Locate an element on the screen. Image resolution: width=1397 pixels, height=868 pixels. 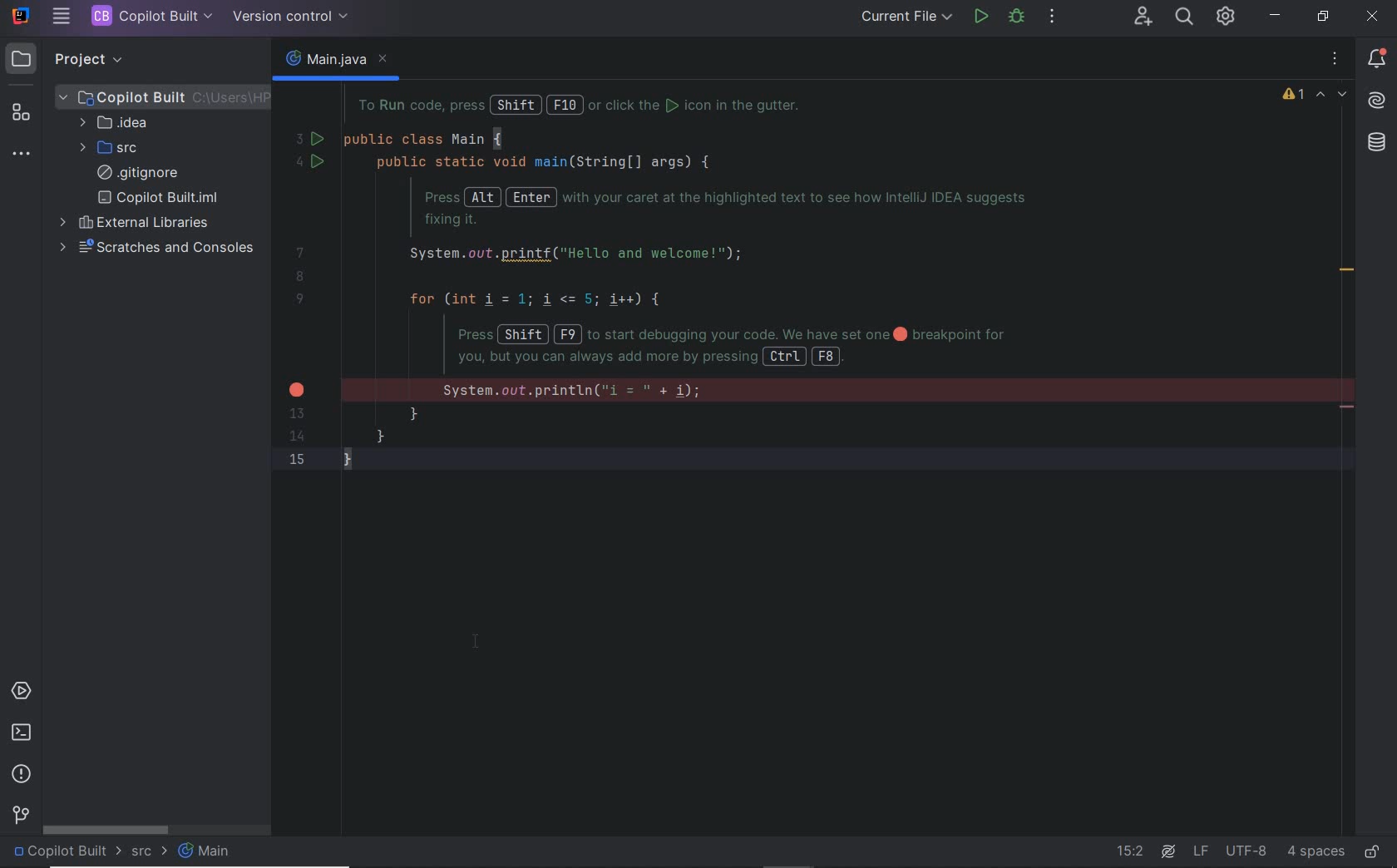
1 warning is located at coordinates (1295, 96).